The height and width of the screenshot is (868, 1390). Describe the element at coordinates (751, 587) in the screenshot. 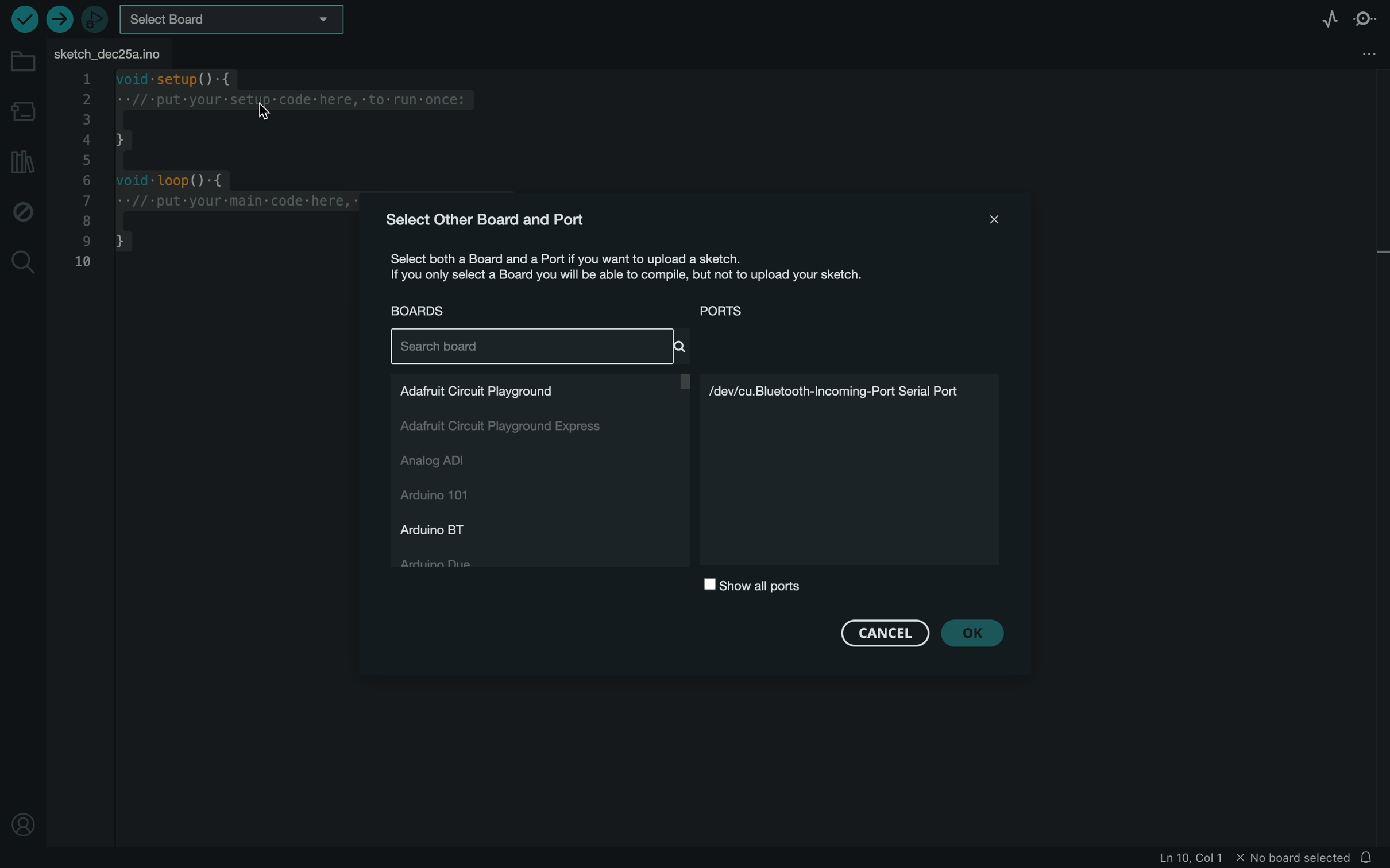

I see `show all` at that location.